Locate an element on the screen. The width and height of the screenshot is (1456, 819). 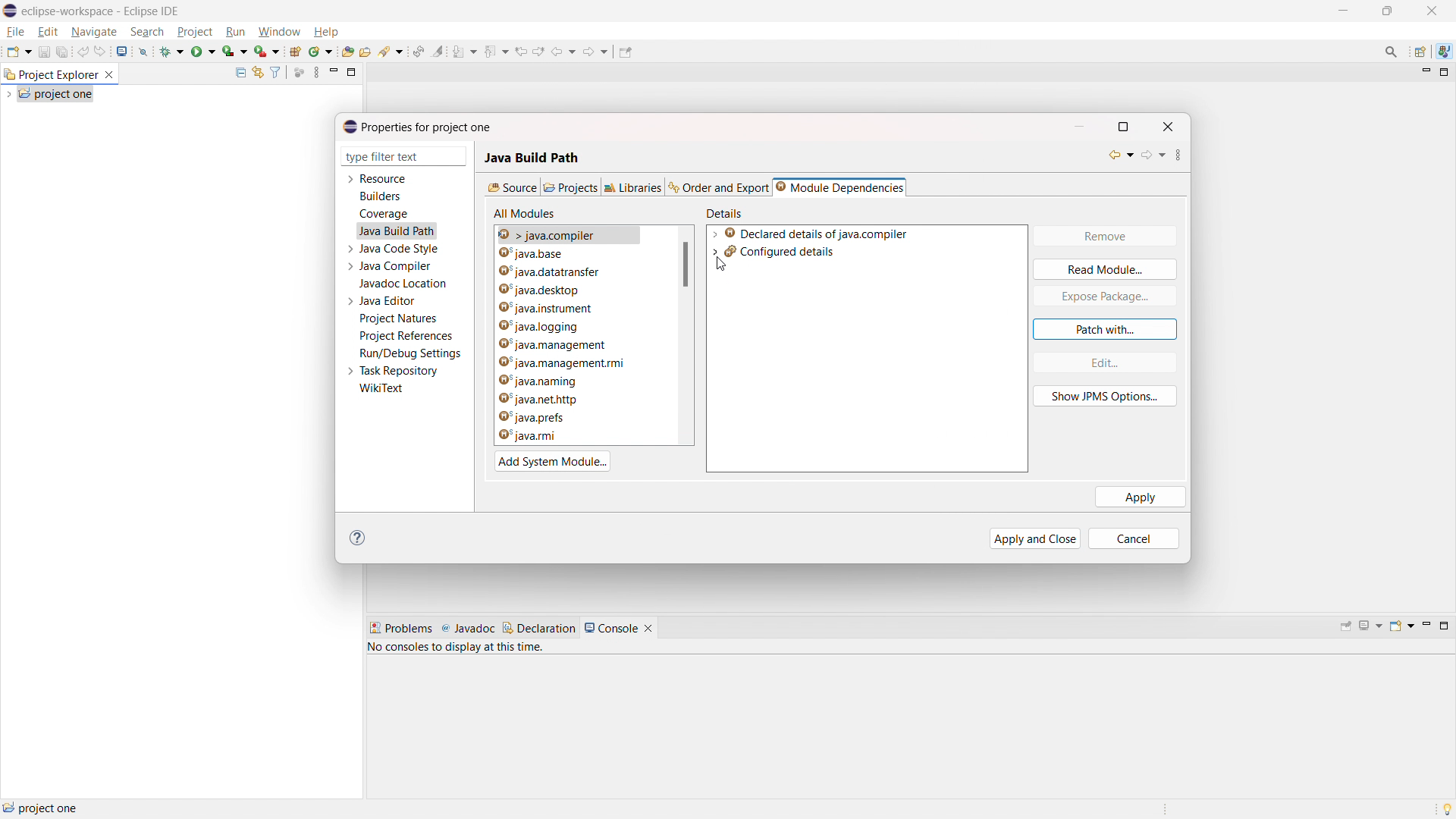
project one is located at coordinates (42, 808).